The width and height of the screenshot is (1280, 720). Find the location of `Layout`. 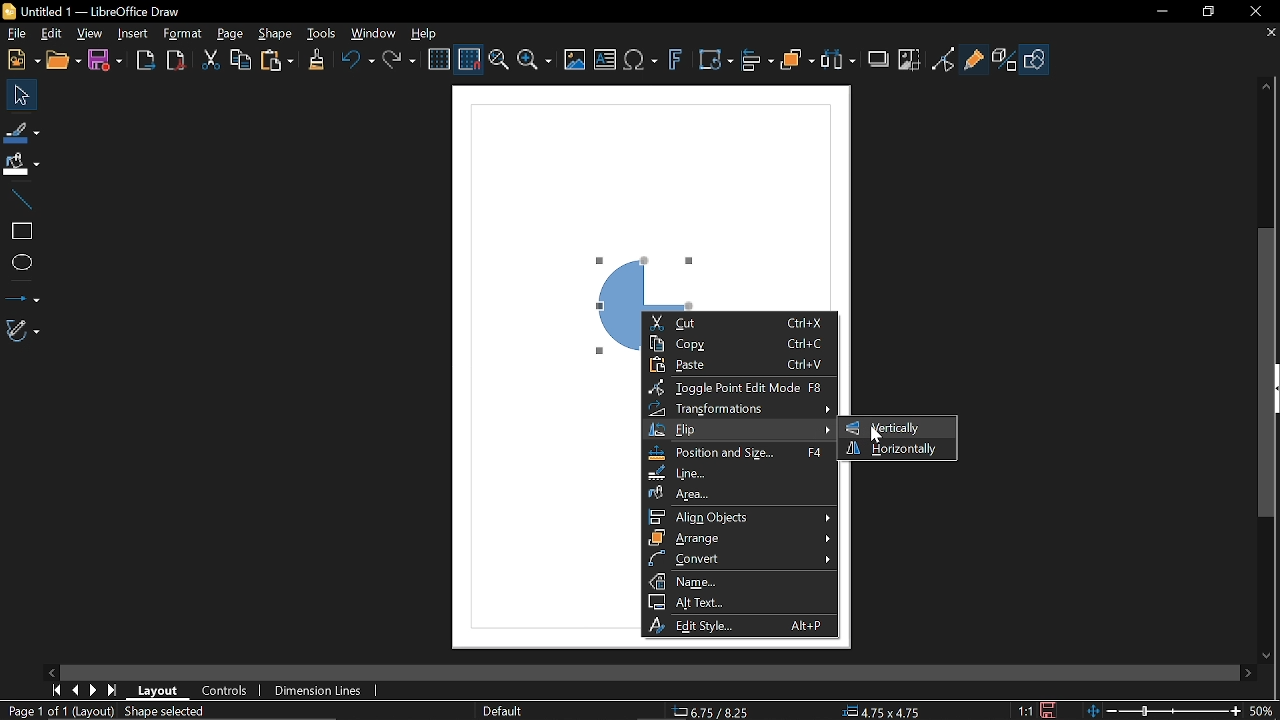

Layout is located at coordinates (160, 690).